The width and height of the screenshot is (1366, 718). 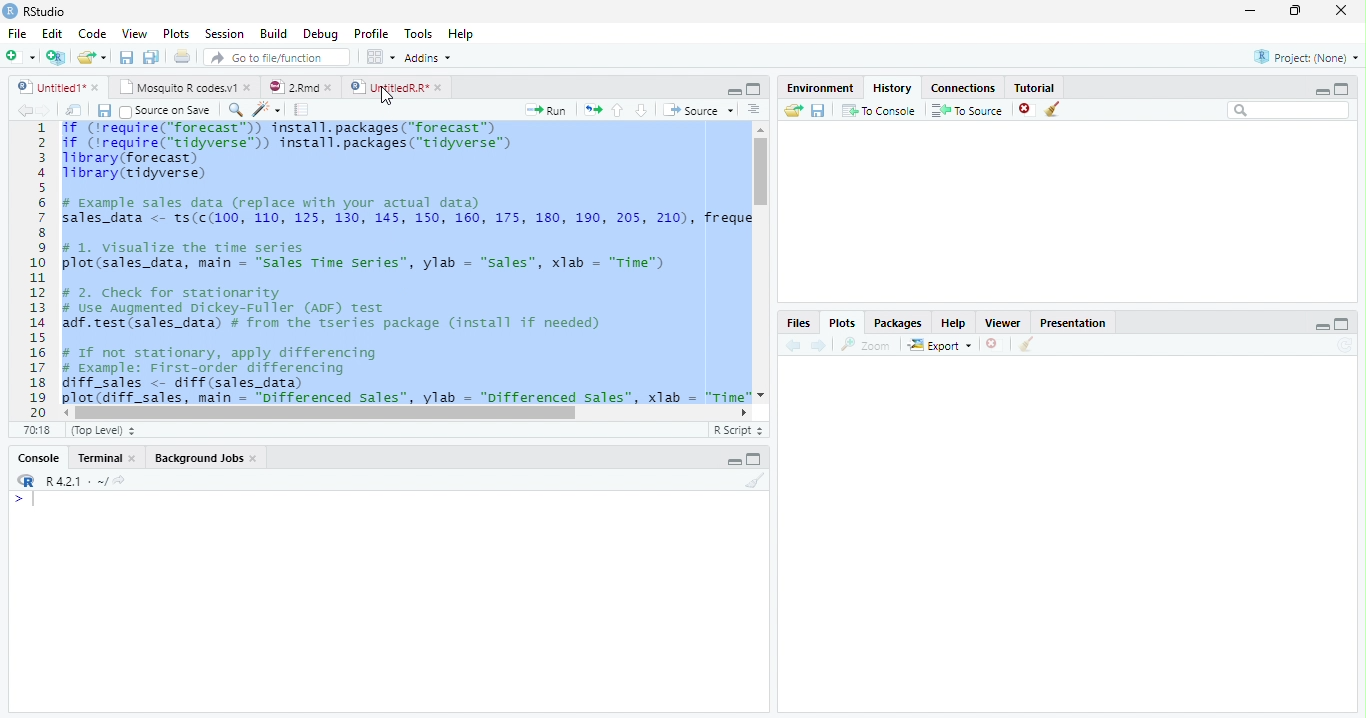 I want to click on Top level, so click(x=102, y=430).